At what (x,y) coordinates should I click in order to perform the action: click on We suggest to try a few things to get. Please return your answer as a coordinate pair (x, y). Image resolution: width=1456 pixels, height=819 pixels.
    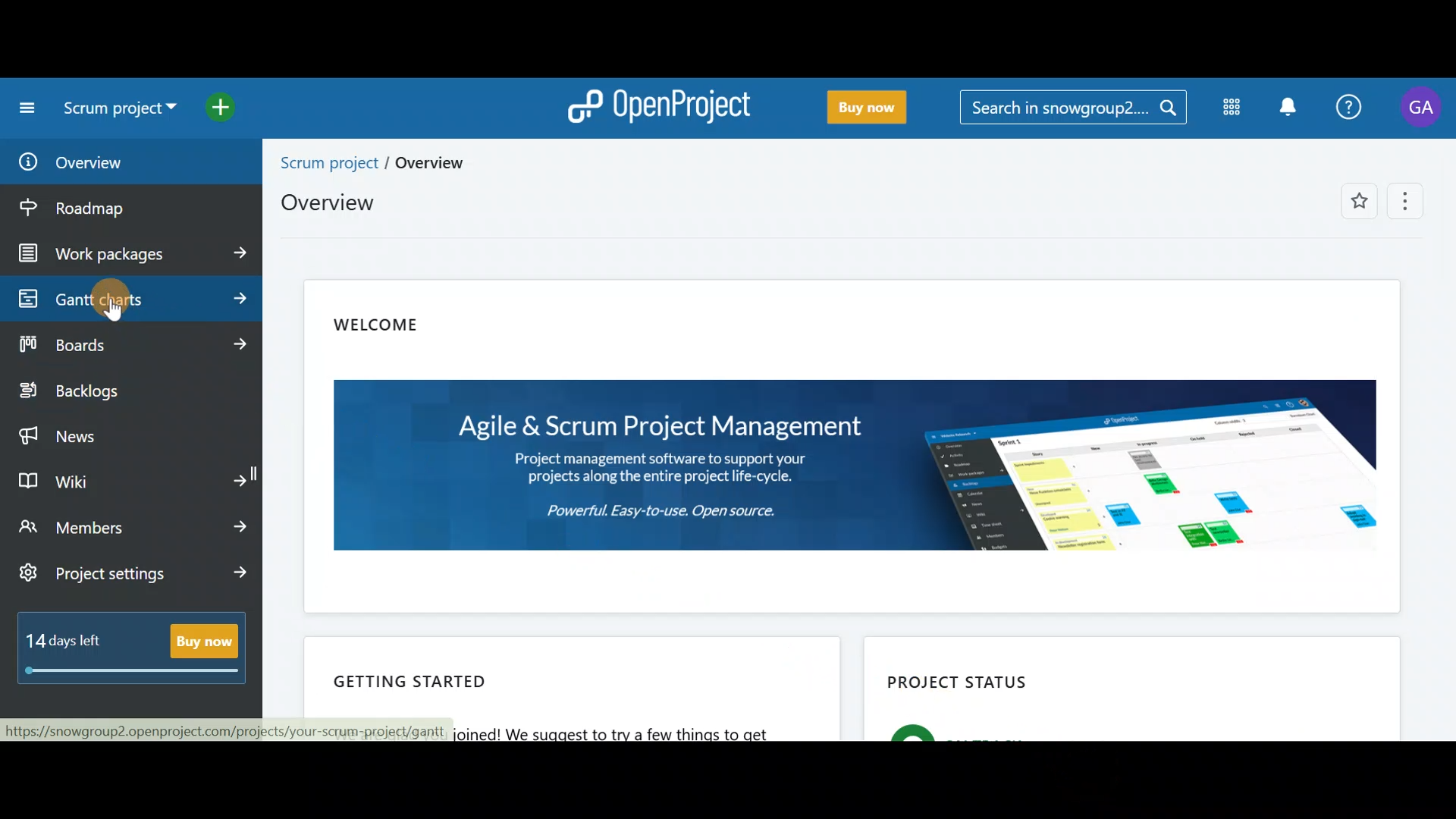
    Looking at the image, I should click on (642, 732).